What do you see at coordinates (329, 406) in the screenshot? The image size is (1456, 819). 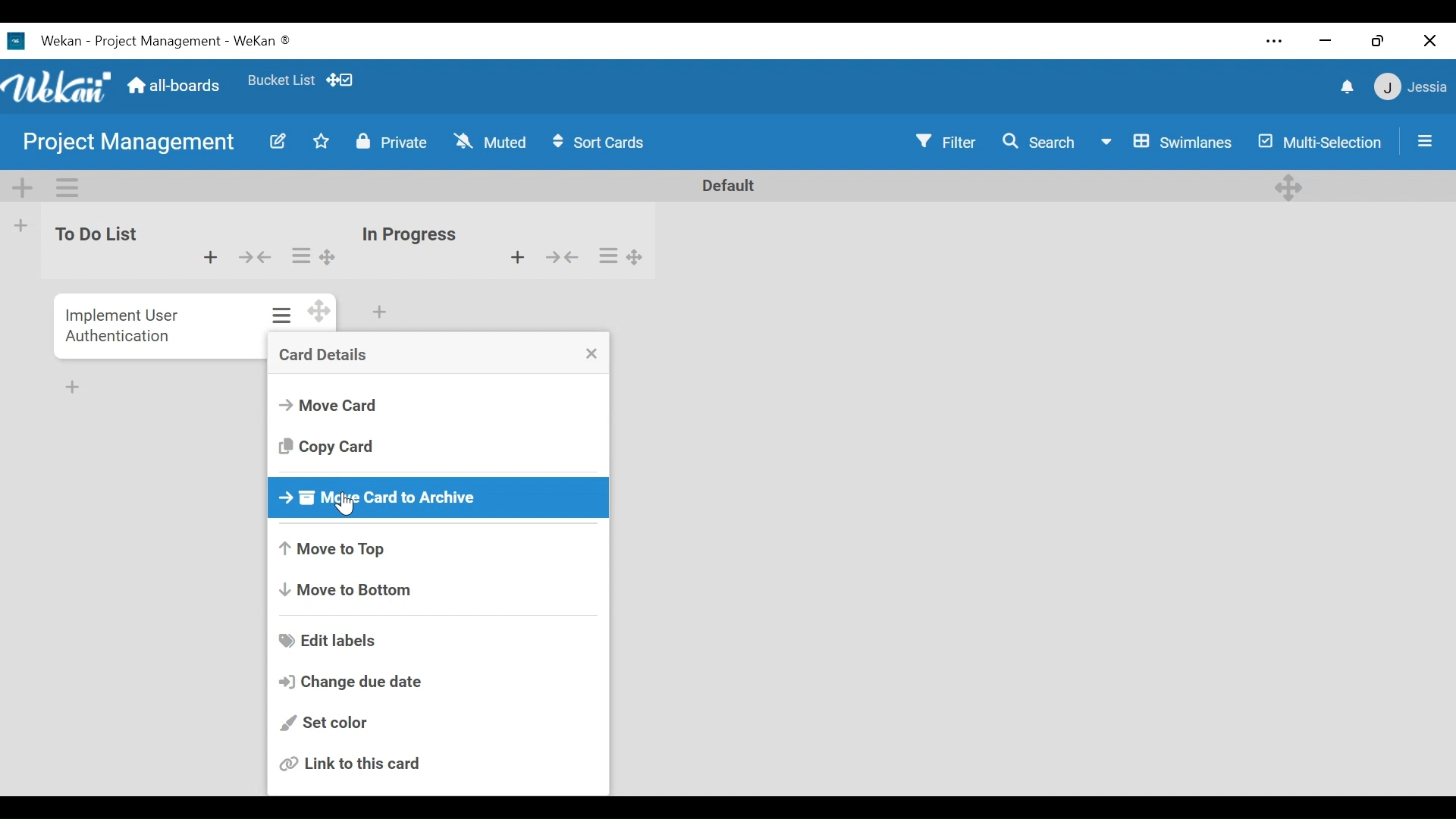 I see `Move Crad` at bounding box center [329, 406].